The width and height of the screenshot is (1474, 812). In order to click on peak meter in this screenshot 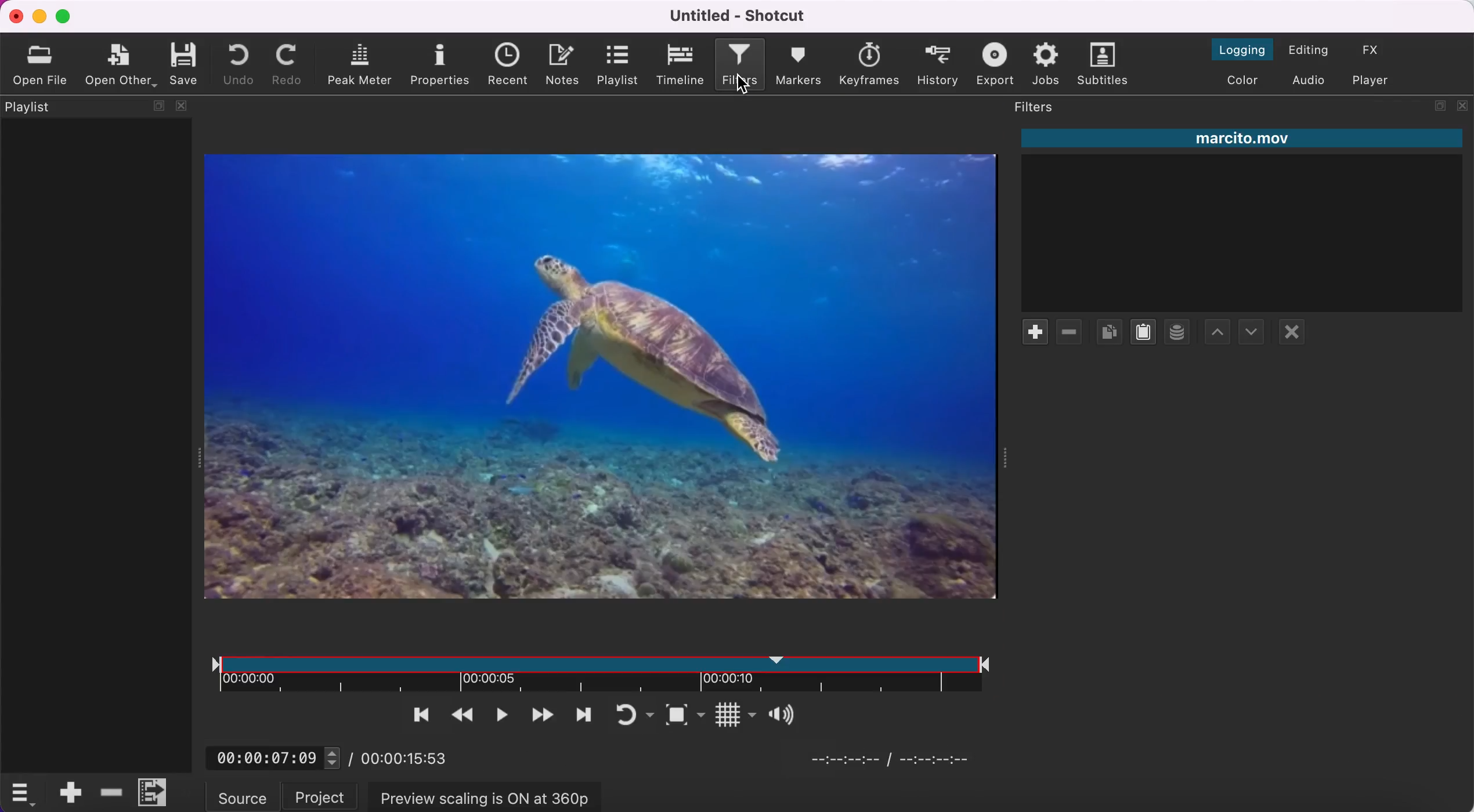, I will do `click(357, 65)`.